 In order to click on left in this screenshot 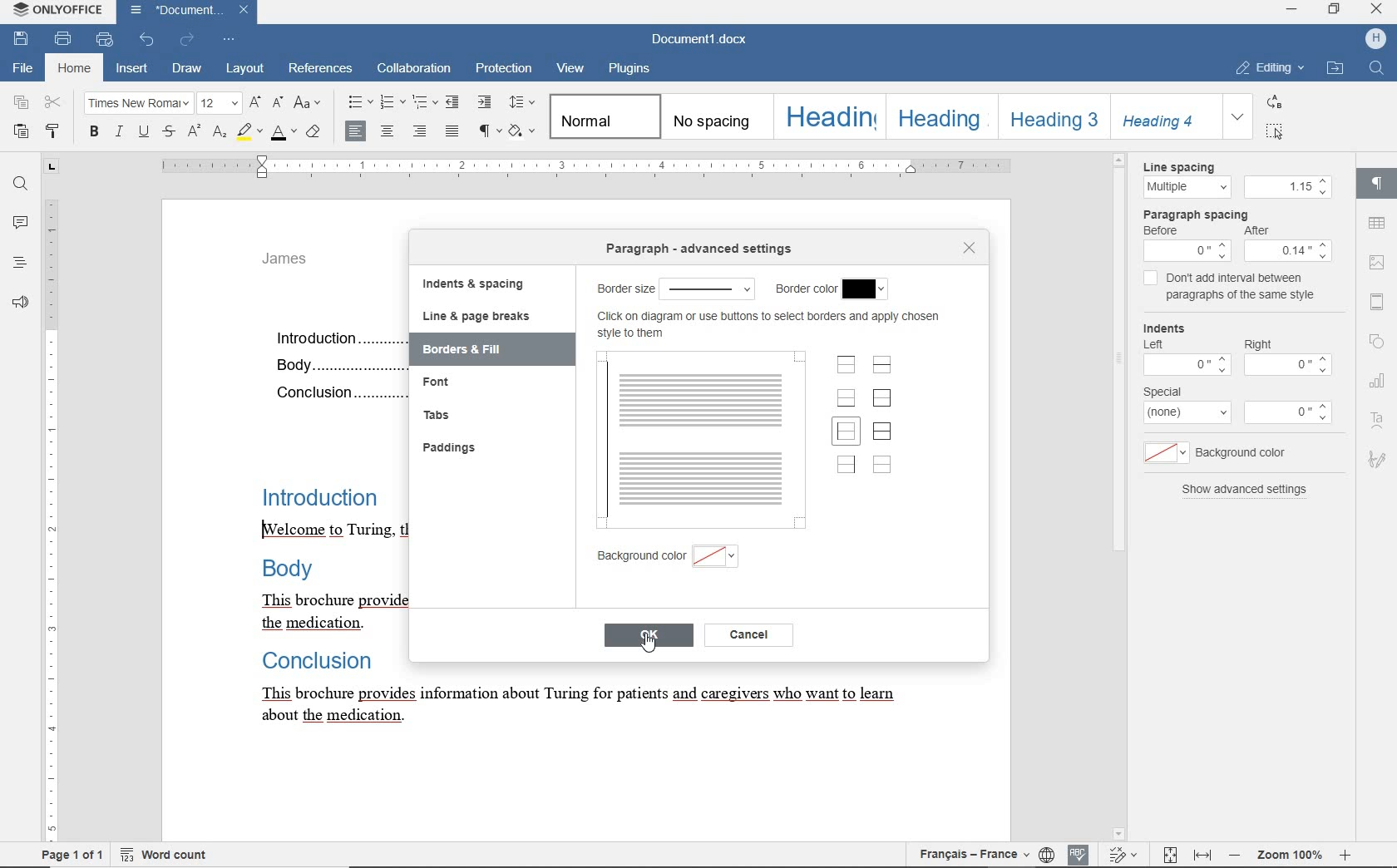, I will do `click(1152, 343)`.